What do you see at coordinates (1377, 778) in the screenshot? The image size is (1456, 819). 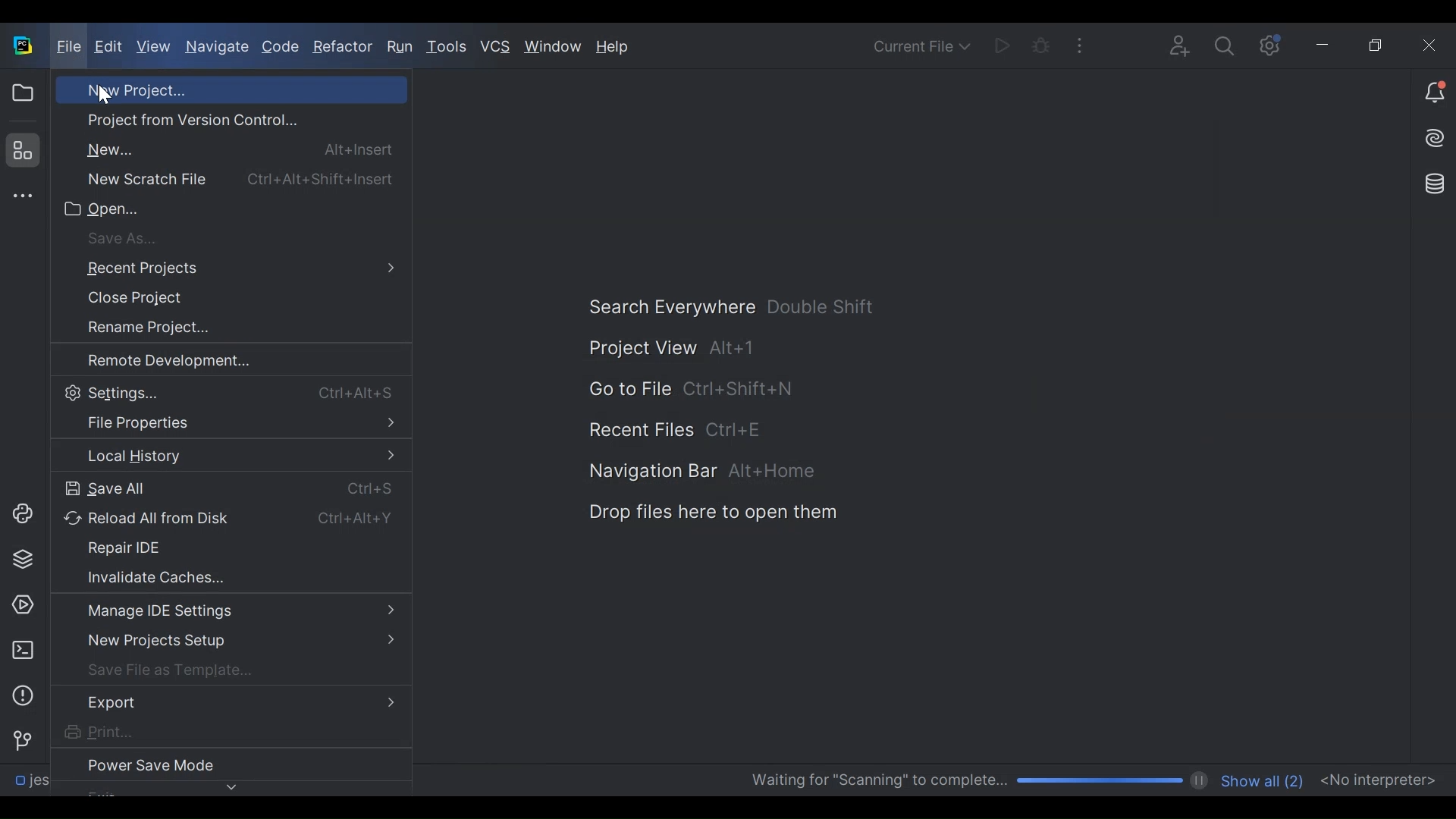 I see `<No interpreter>` at bounding box center [1377, 778].